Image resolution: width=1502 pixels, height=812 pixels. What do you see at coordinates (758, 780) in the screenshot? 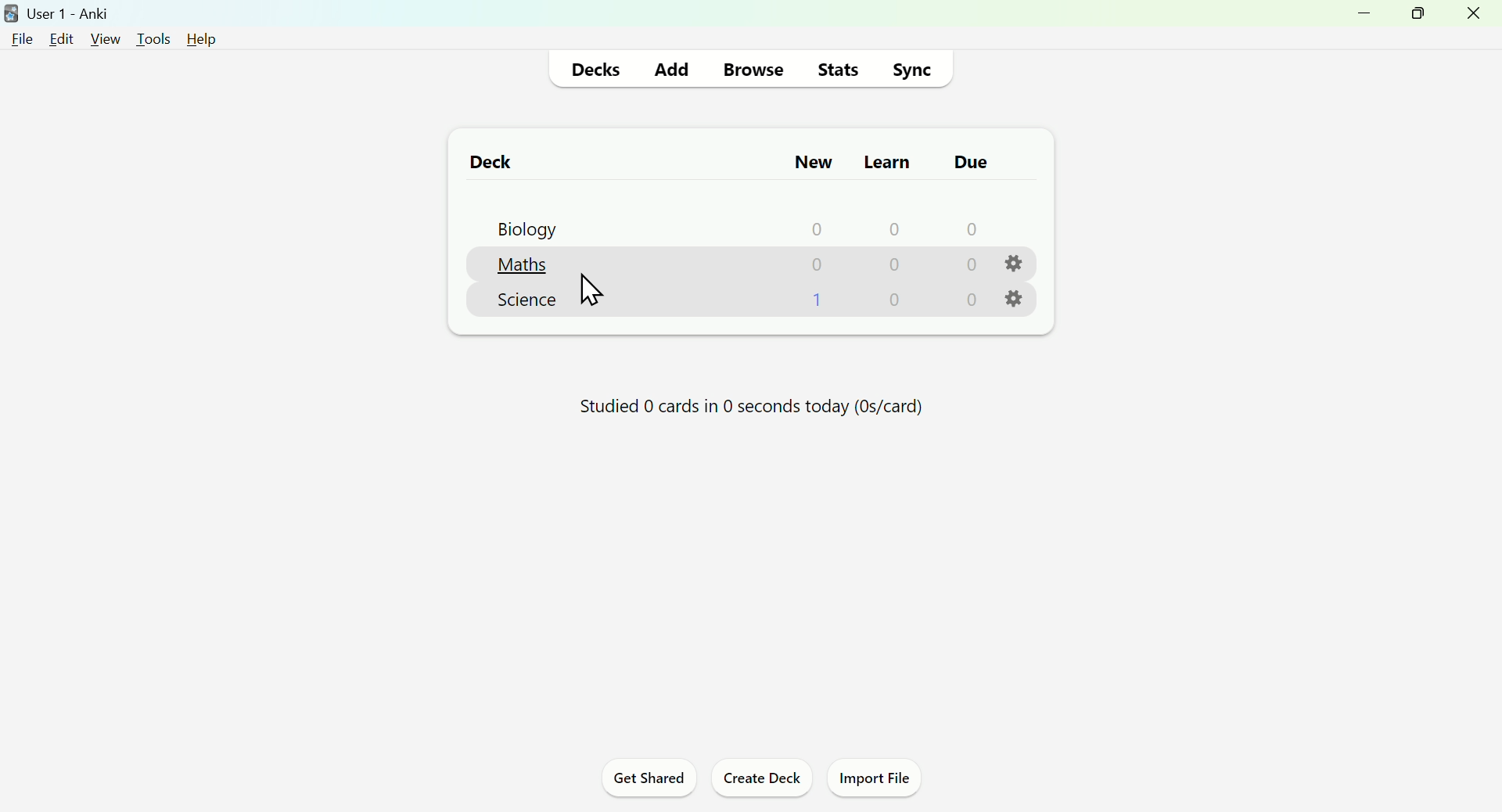
I see `Create Deck` at bounding box center [758, 780].